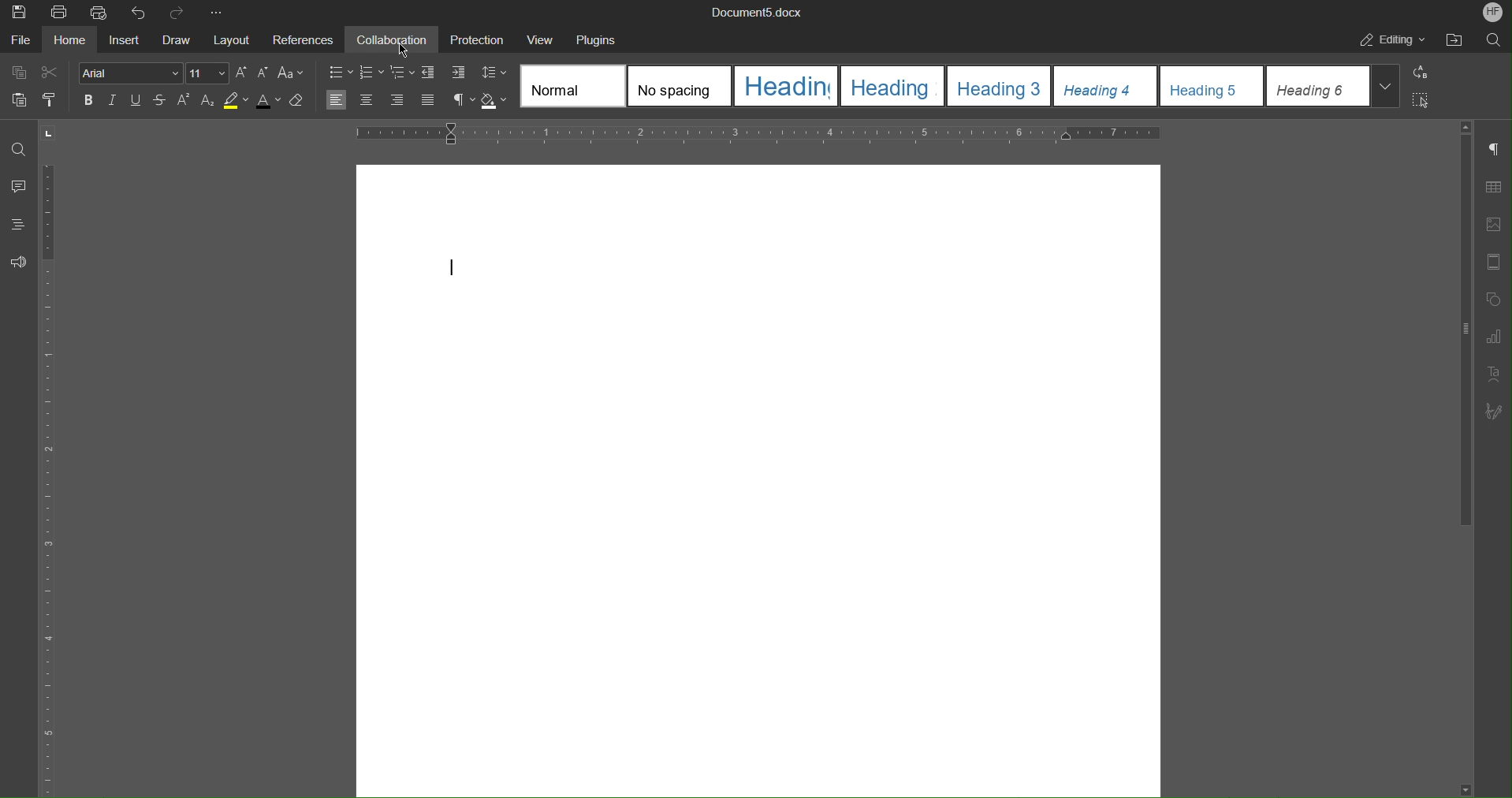  What do you see at coordinates (236, 106) in the screenshot?
I see `Highlight` at bounding box center [236, 106].